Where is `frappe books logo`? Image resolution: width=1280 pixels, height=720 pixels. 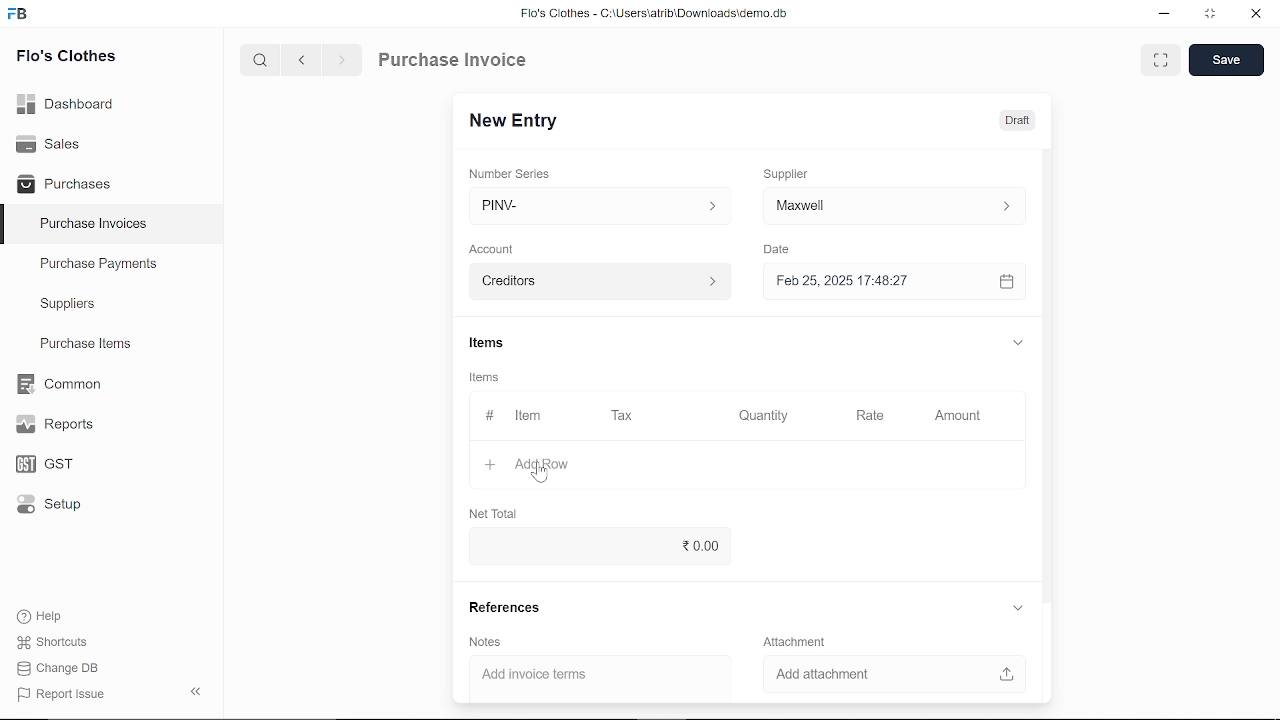 frappe books logo is located at coordinates (22, 15).